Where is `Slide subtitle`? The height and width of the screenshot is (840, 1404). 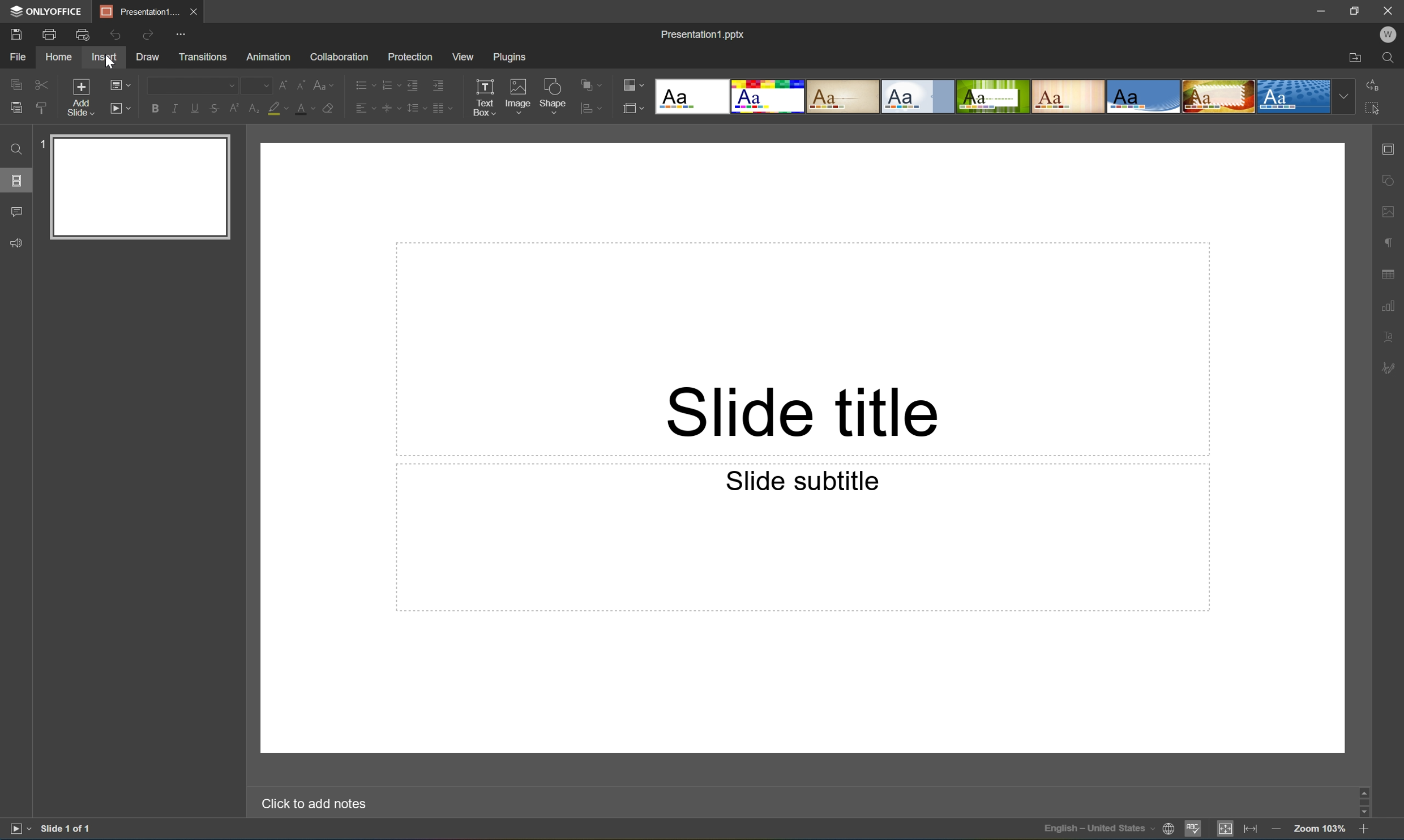 Slide subtitle is located at coordinates (808, 482).